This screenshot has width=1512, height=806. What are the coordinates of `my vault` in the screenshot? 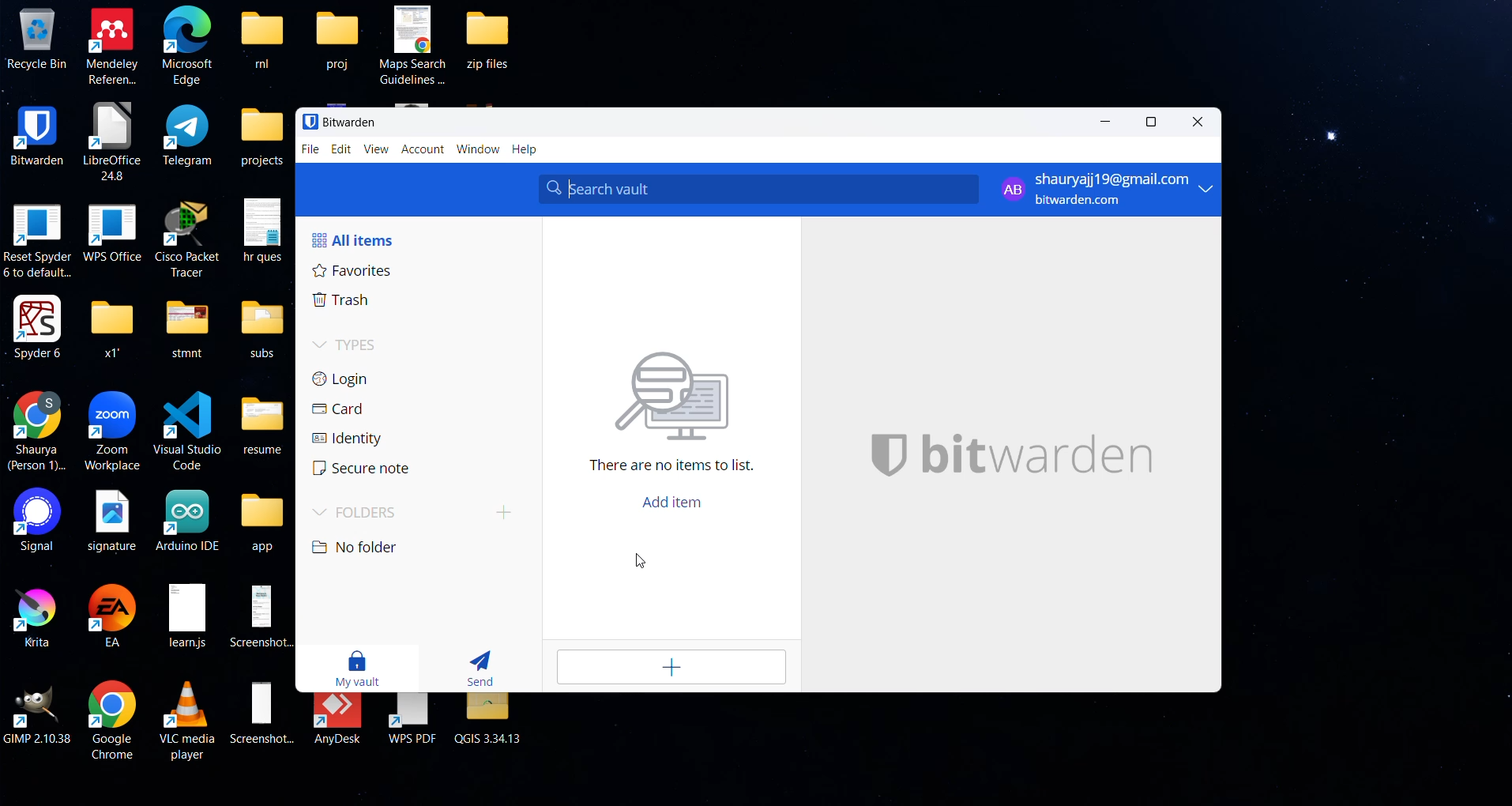 It's located at (363, 664).